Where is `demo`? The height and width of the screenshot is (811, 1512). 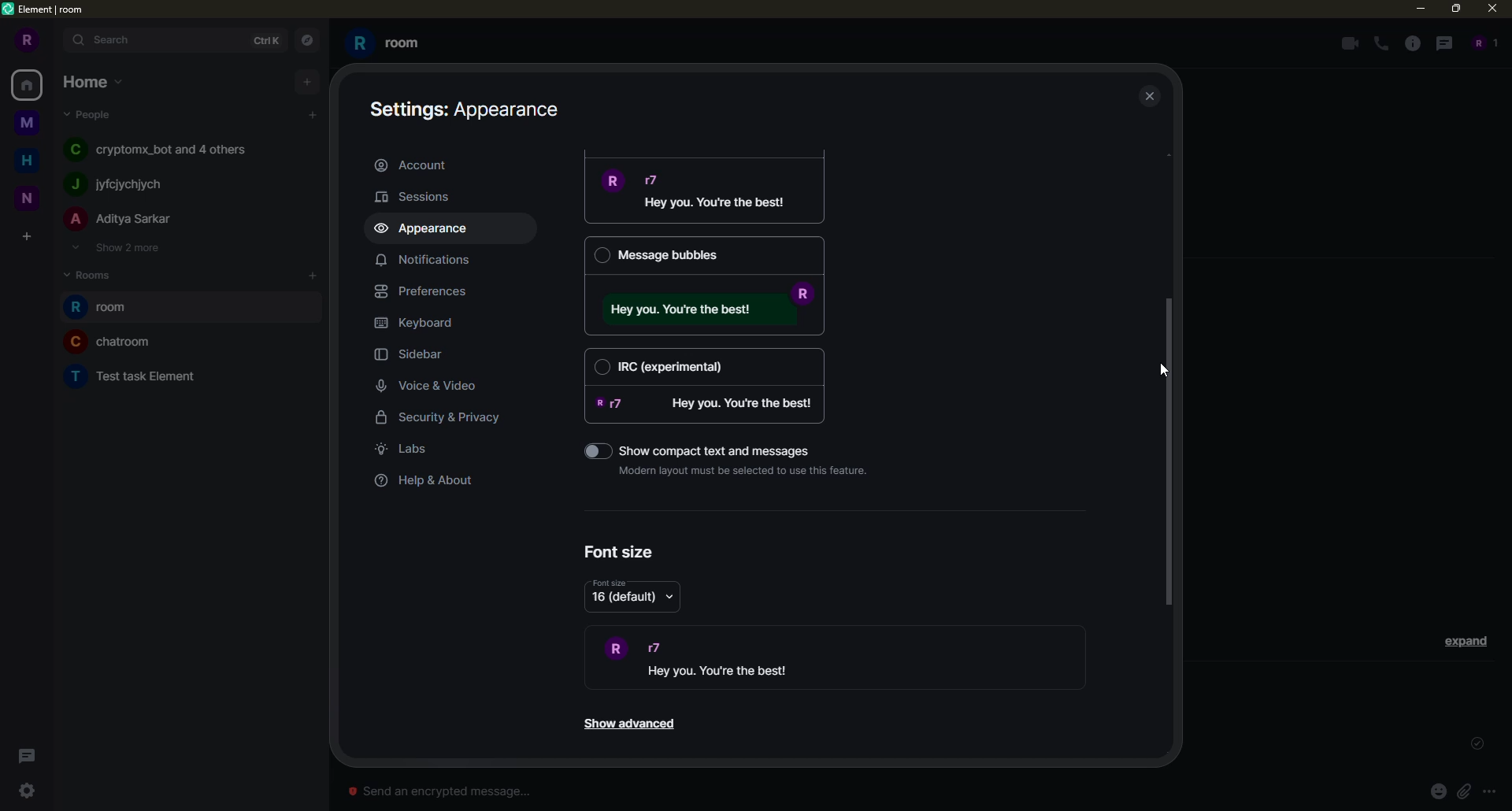
demo is located at coordinates (735, 659).